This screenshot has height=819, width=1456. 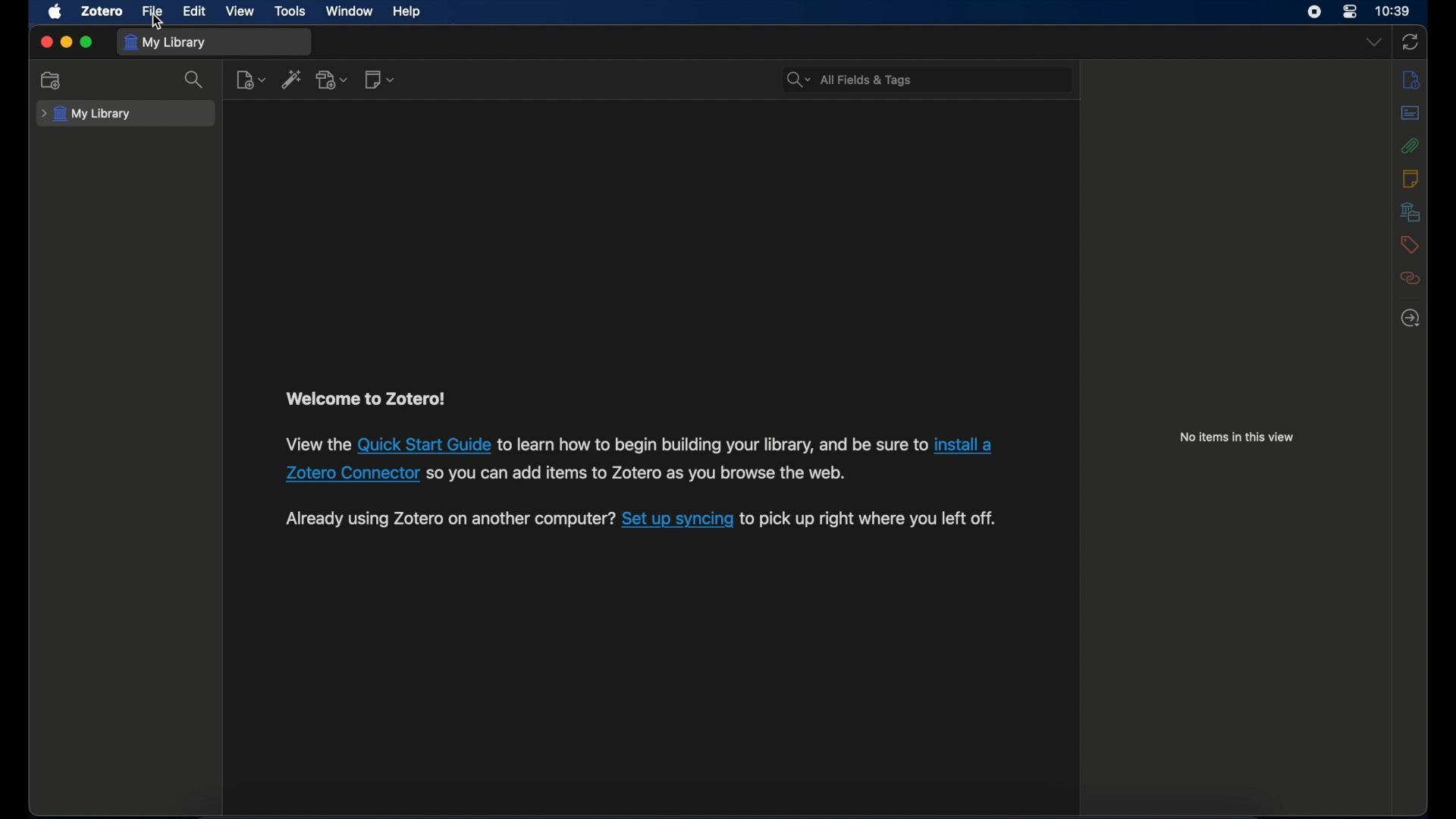 I want to click on cursor, so click(x=159, y=20).